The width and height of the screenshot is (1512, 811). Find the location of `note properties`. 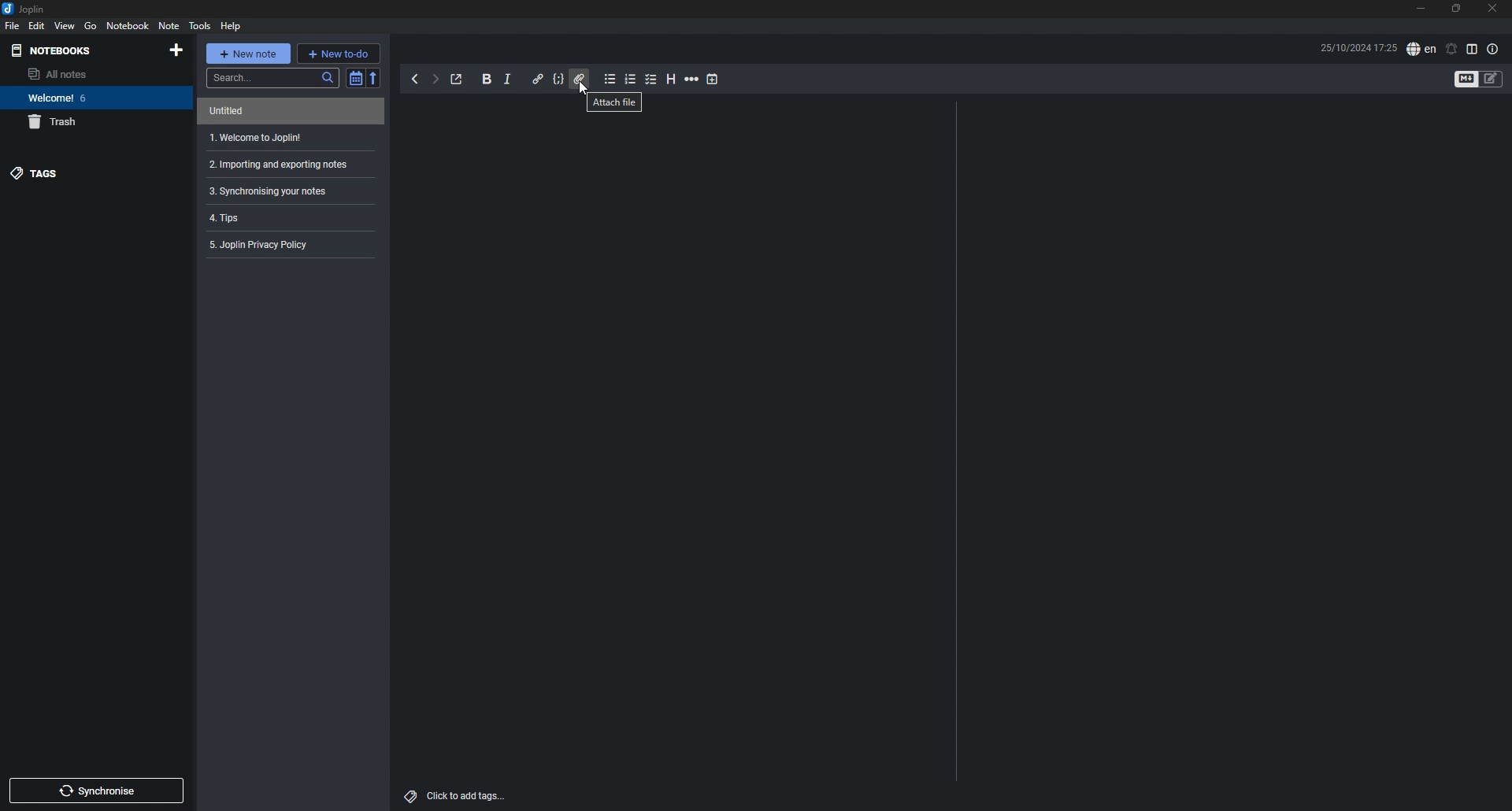

note properties is located at coordinates (1492, 50).